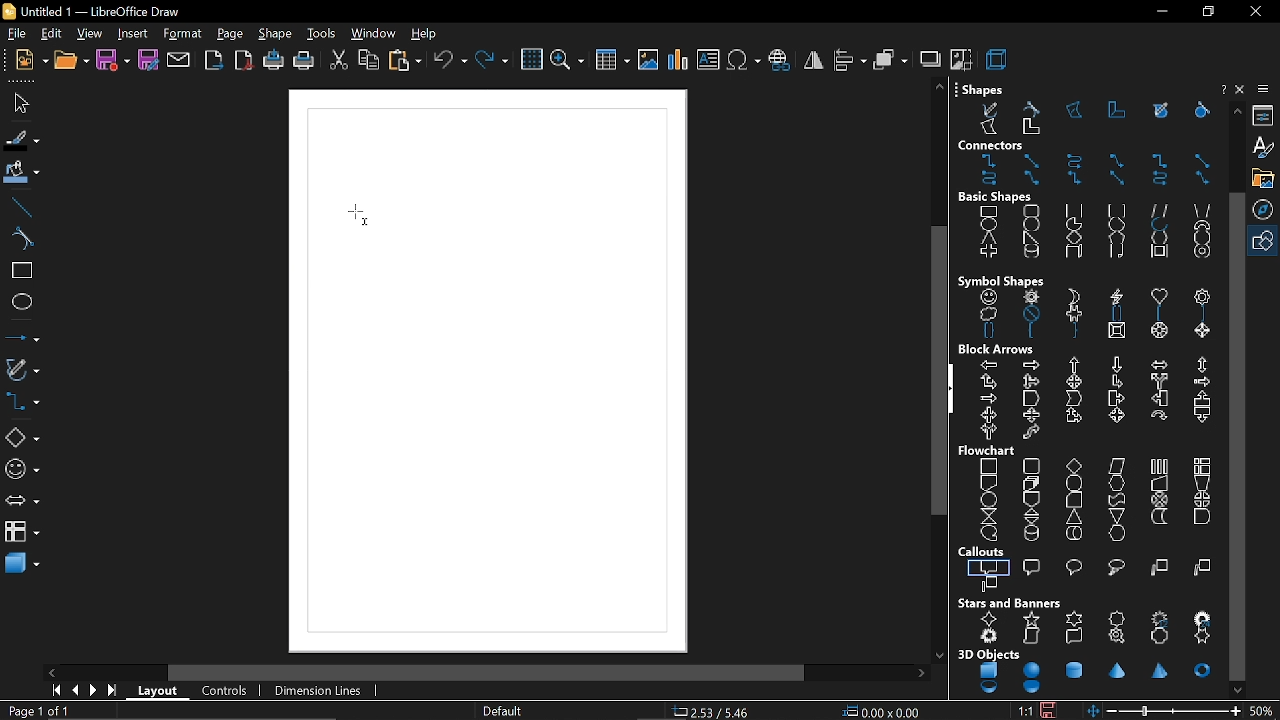  I want to click on page, so click(228, 33).